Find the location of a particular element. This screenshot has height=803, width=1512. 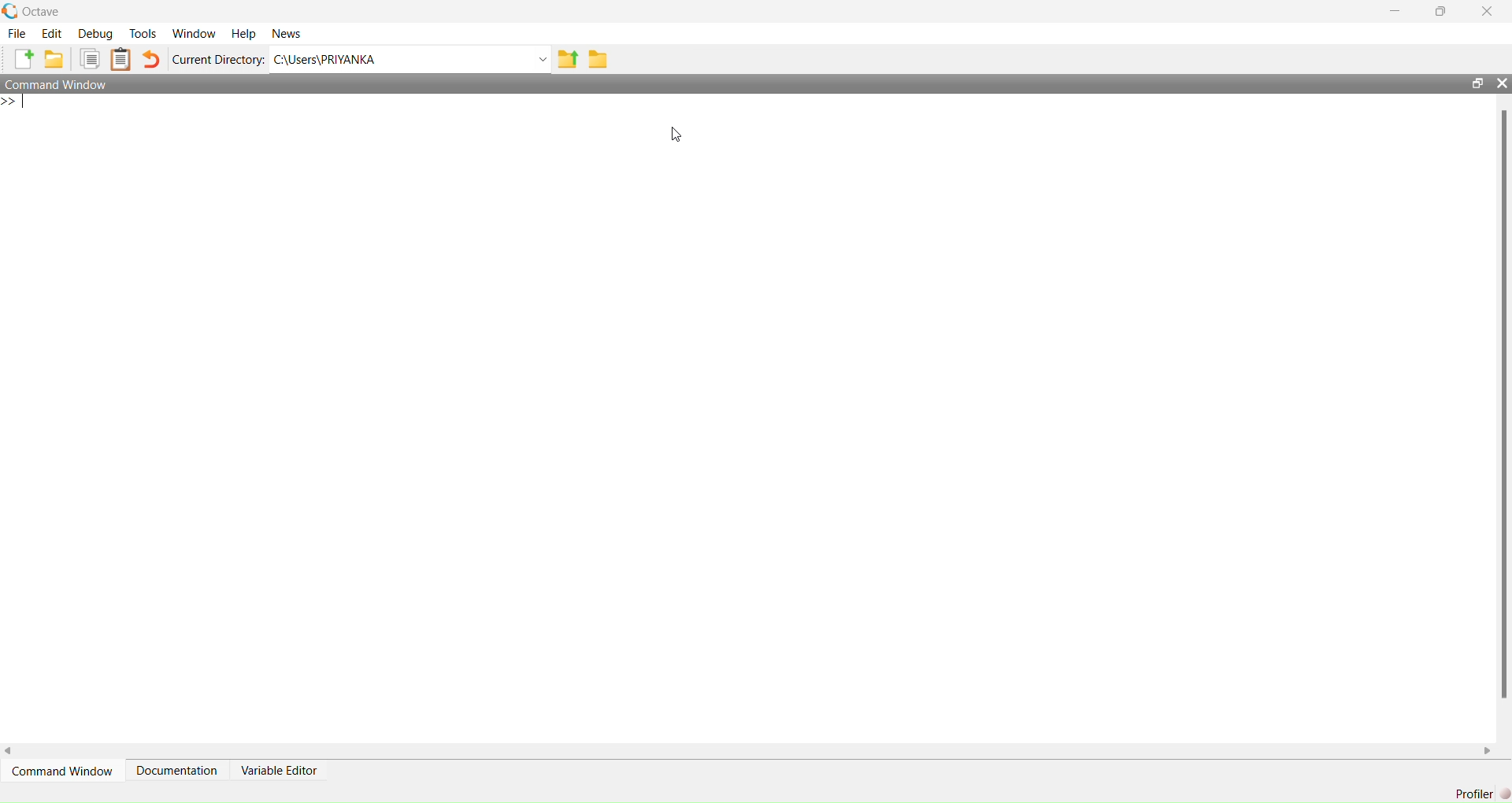

Window is located at coordinates (194, 33).